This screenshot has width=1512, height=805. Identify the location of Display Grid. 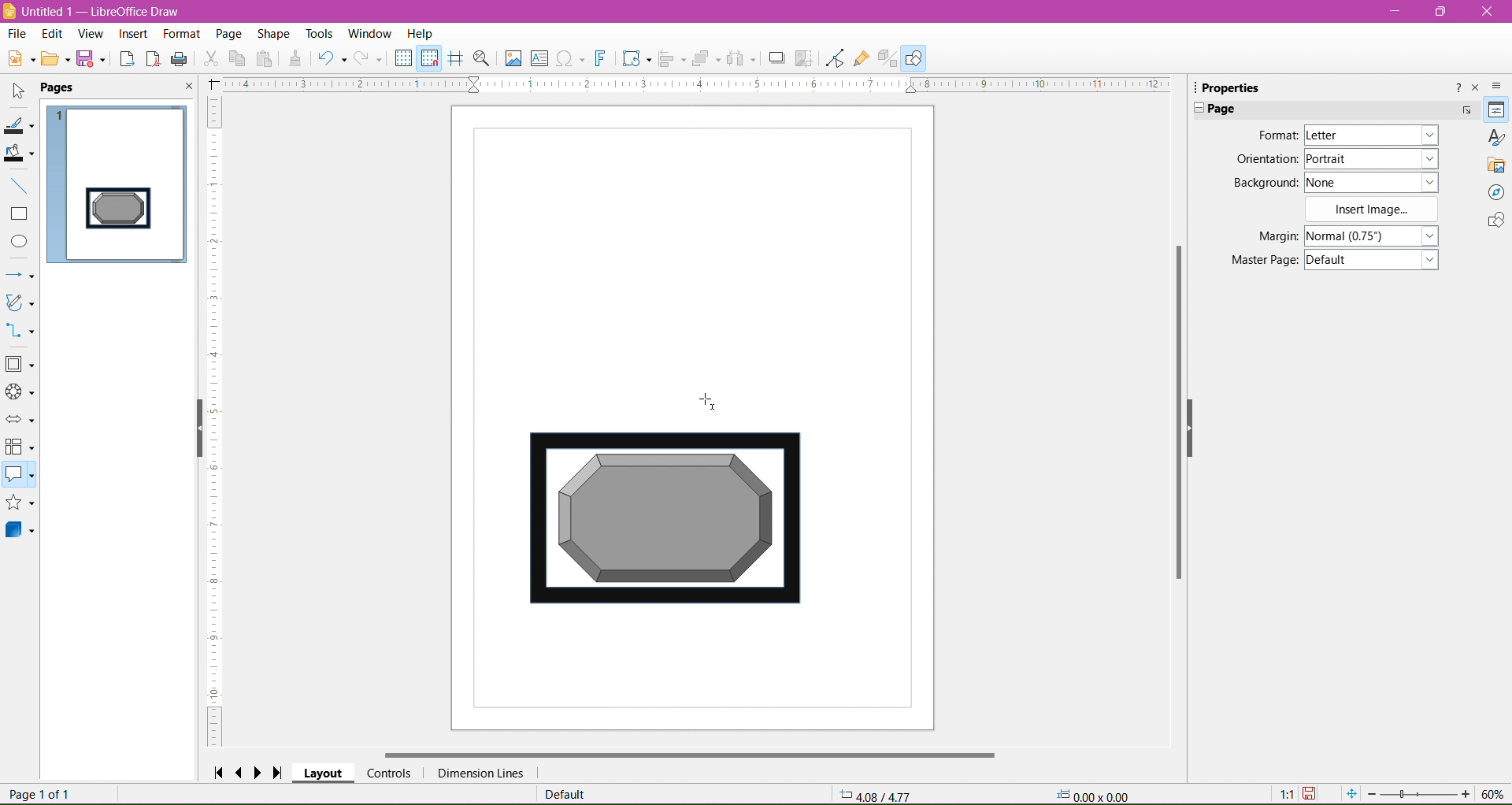
(403, 60).